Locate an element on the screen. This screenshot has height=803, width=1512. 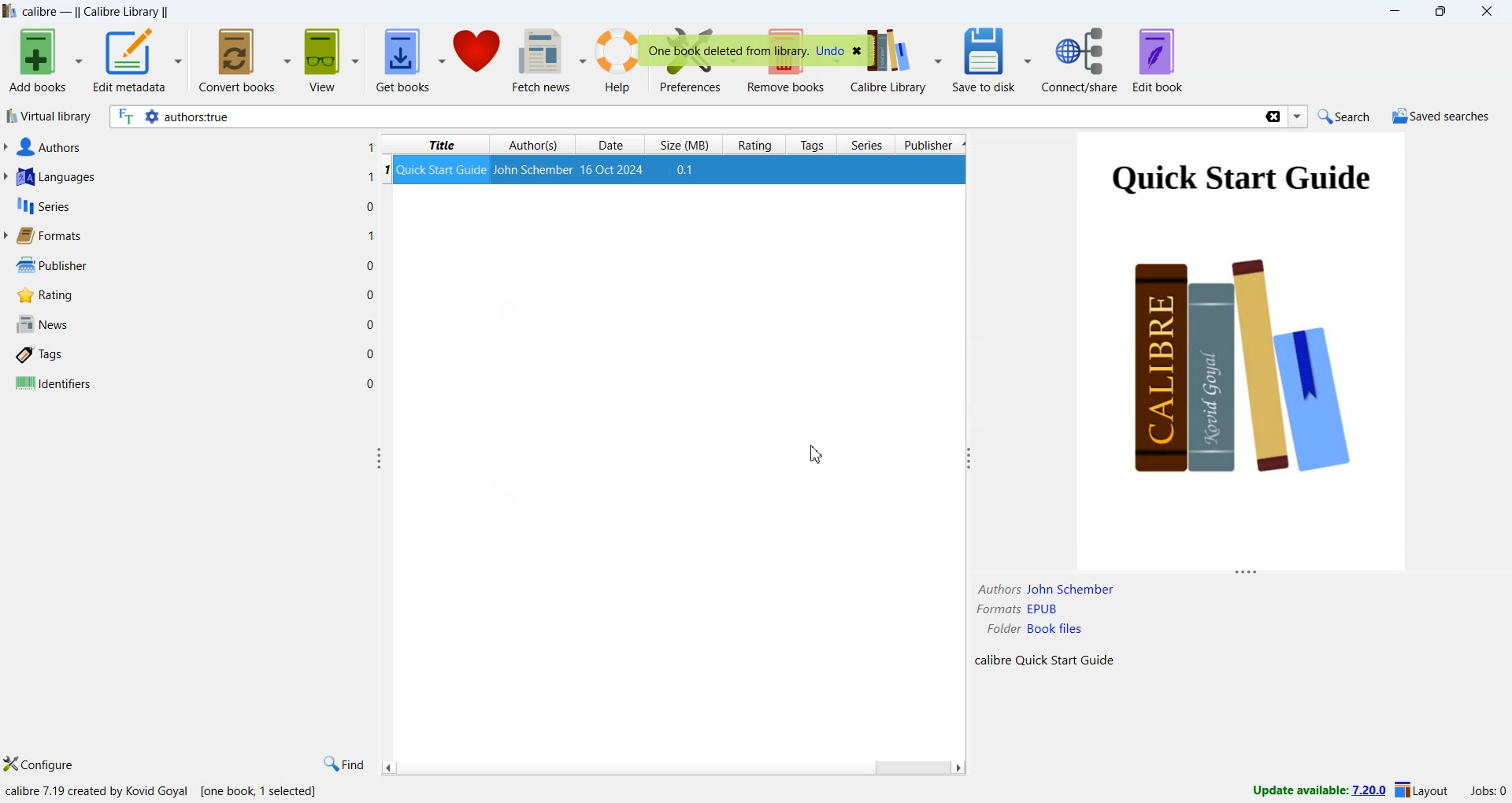
help is located at coordinates (622, 62).